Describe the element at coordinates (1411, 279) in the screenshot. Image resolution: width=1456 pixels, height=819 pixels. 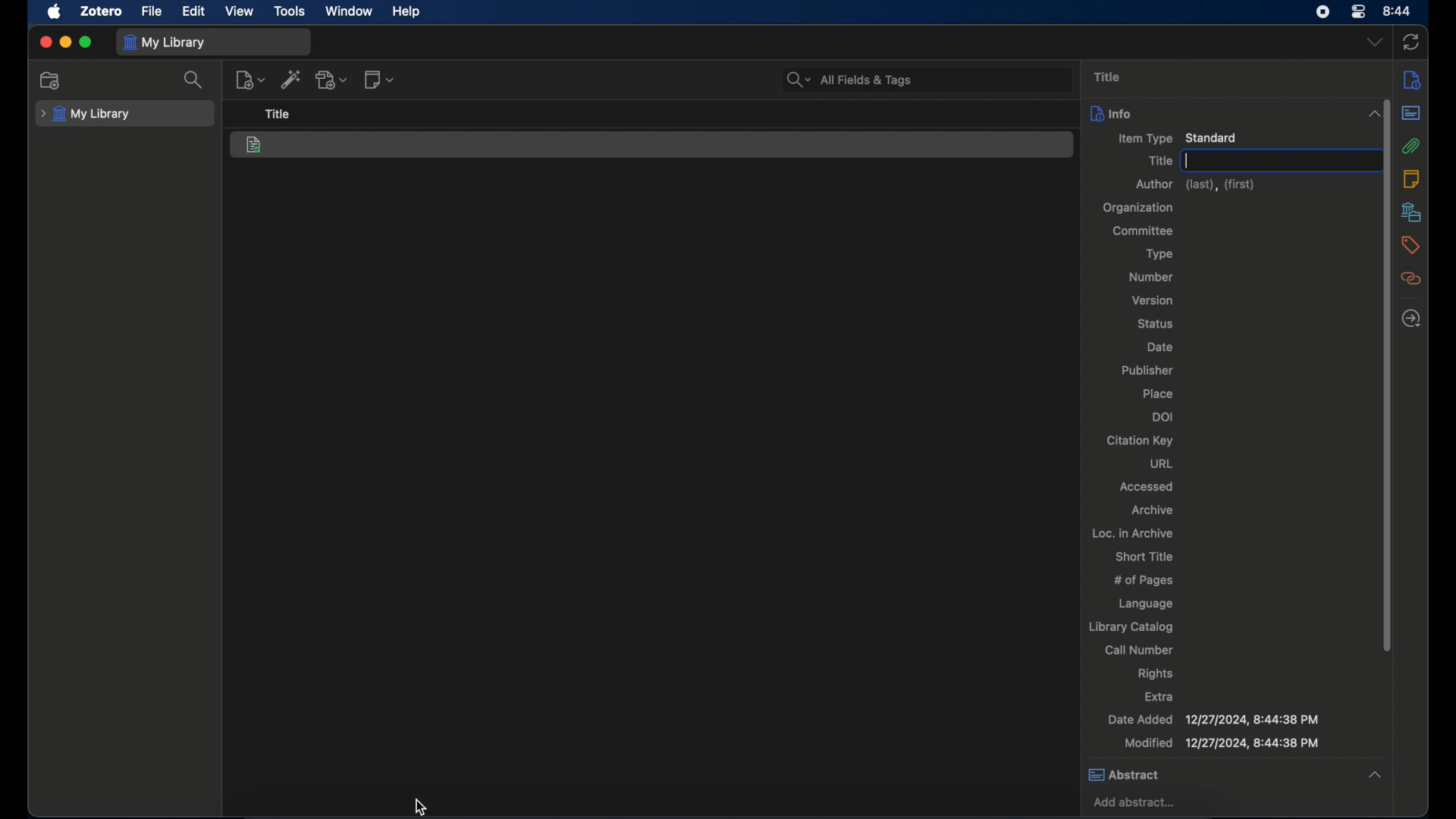
I see `related` at that location.